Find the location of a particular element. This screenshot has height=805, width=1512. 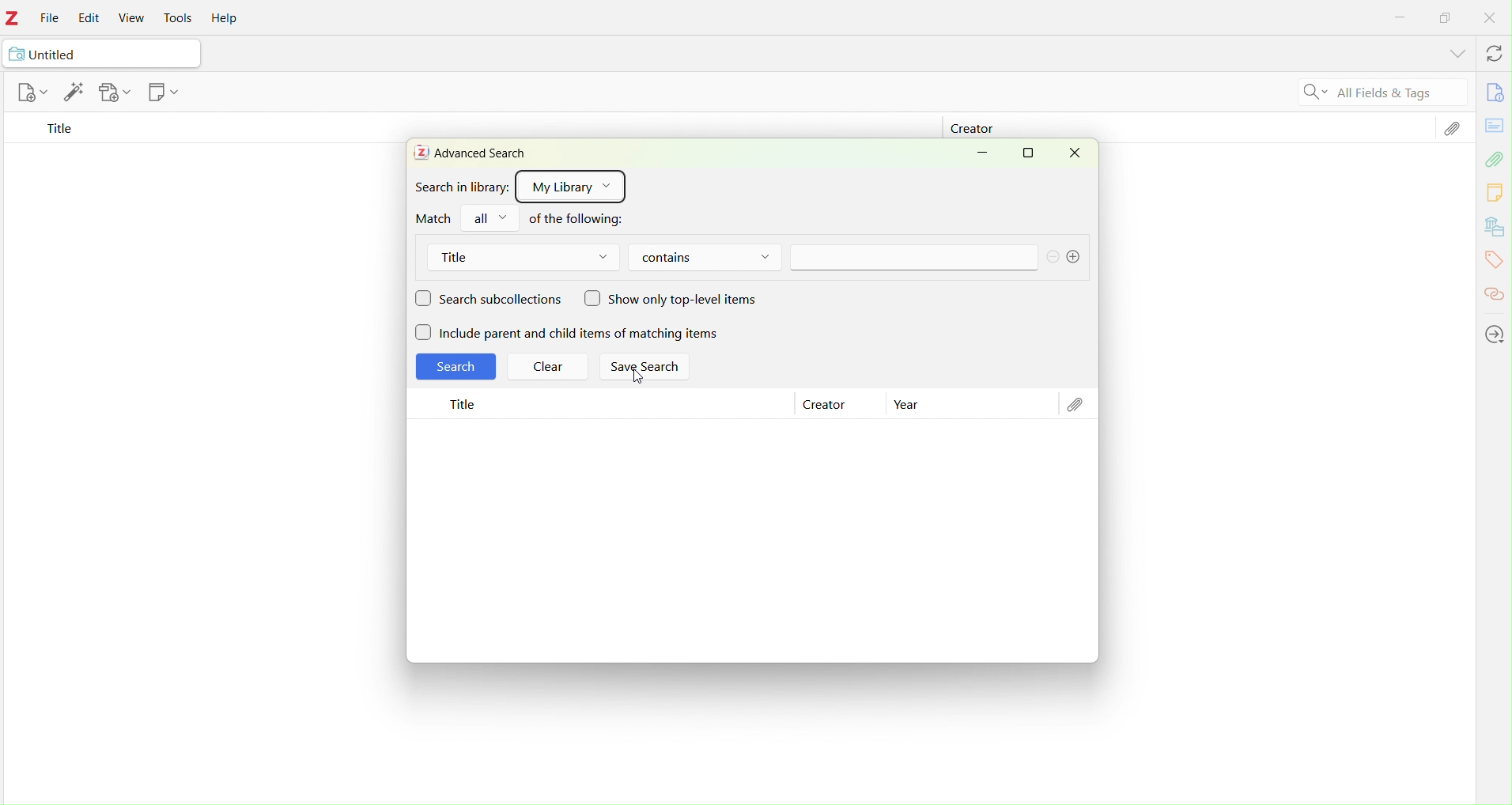

Year is located at coordinates (903, 406).